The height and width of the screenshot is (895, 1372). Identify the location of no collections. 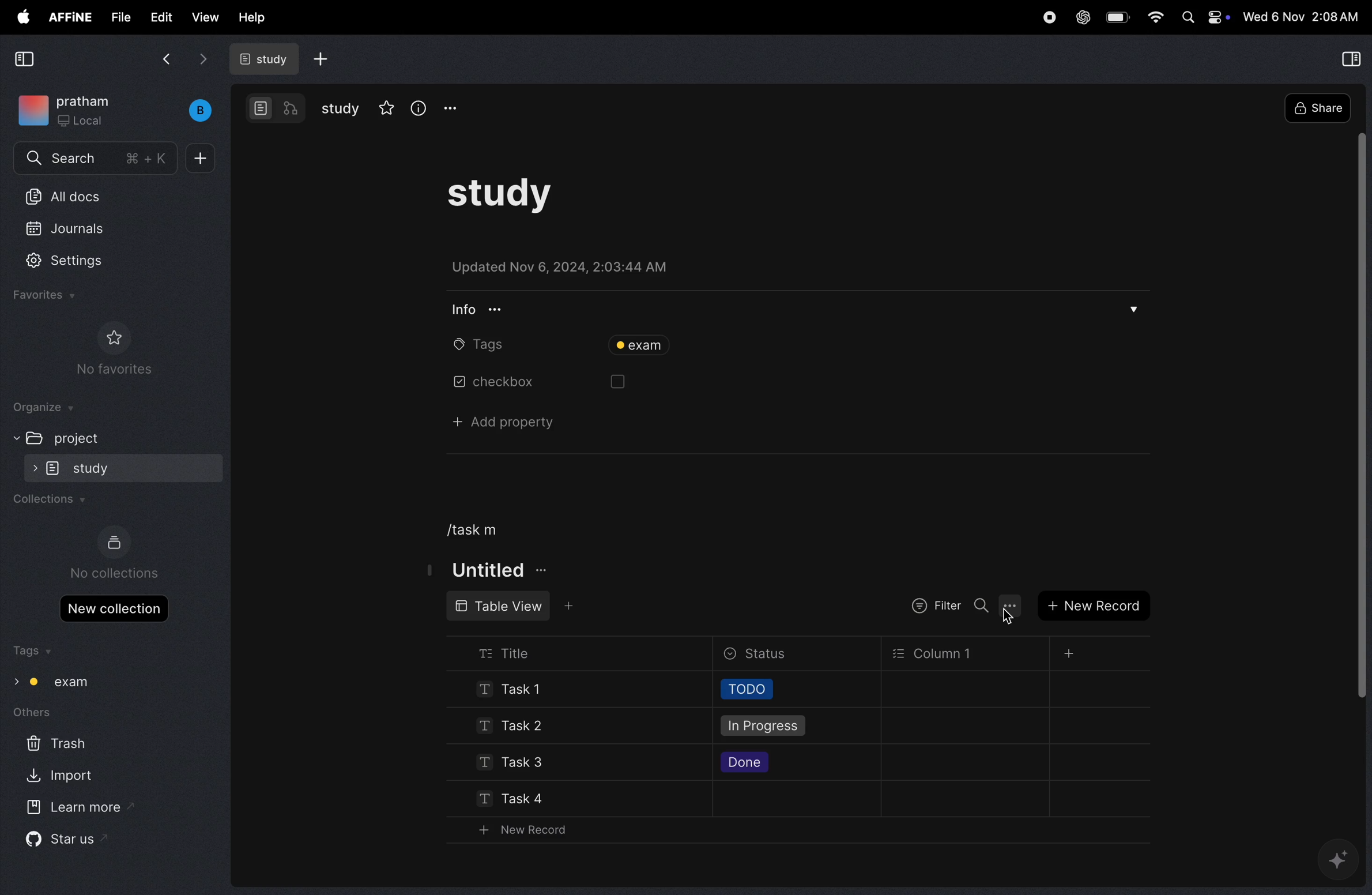
(116, 552).